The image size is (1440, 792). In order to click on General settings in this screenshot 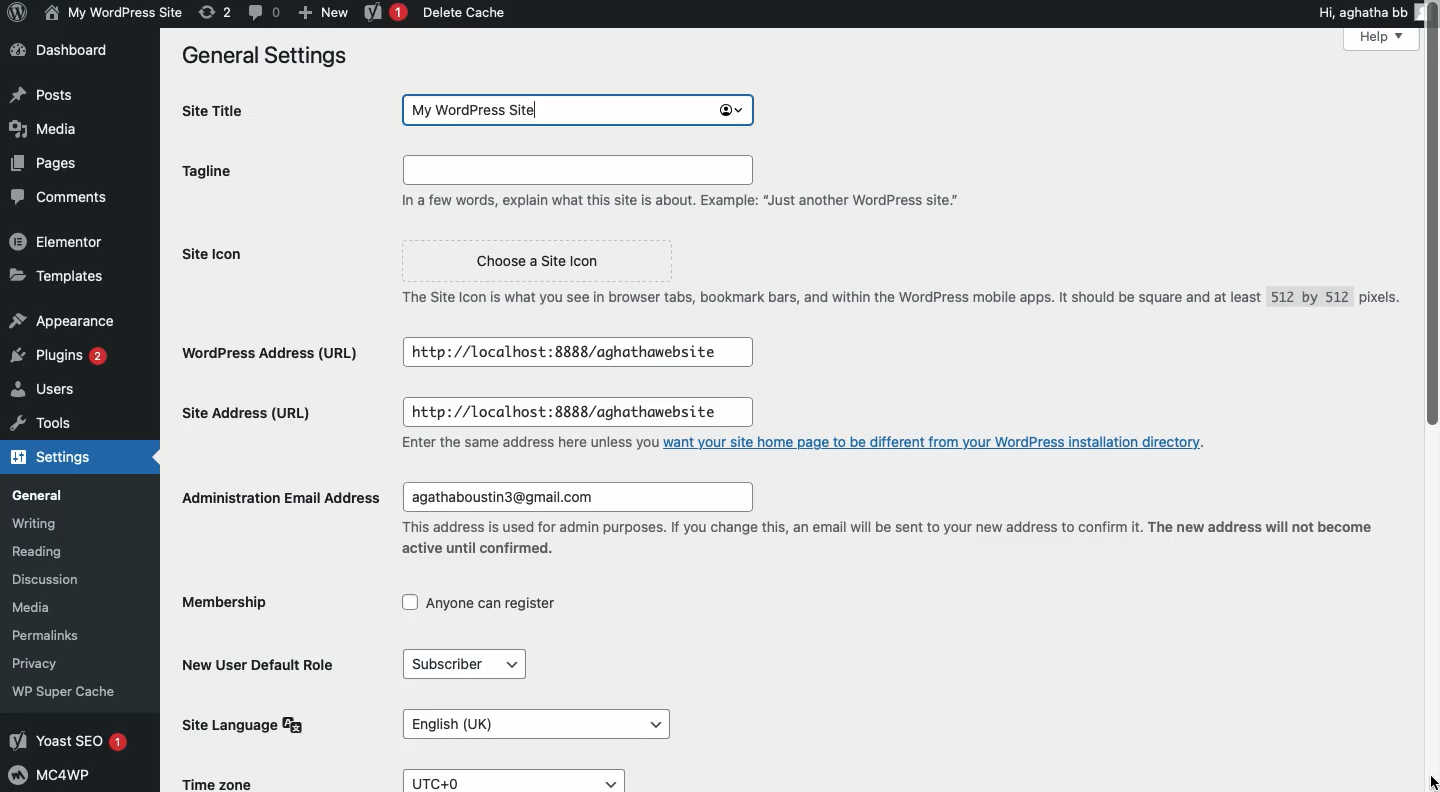, I will do `click(271, 59)`.